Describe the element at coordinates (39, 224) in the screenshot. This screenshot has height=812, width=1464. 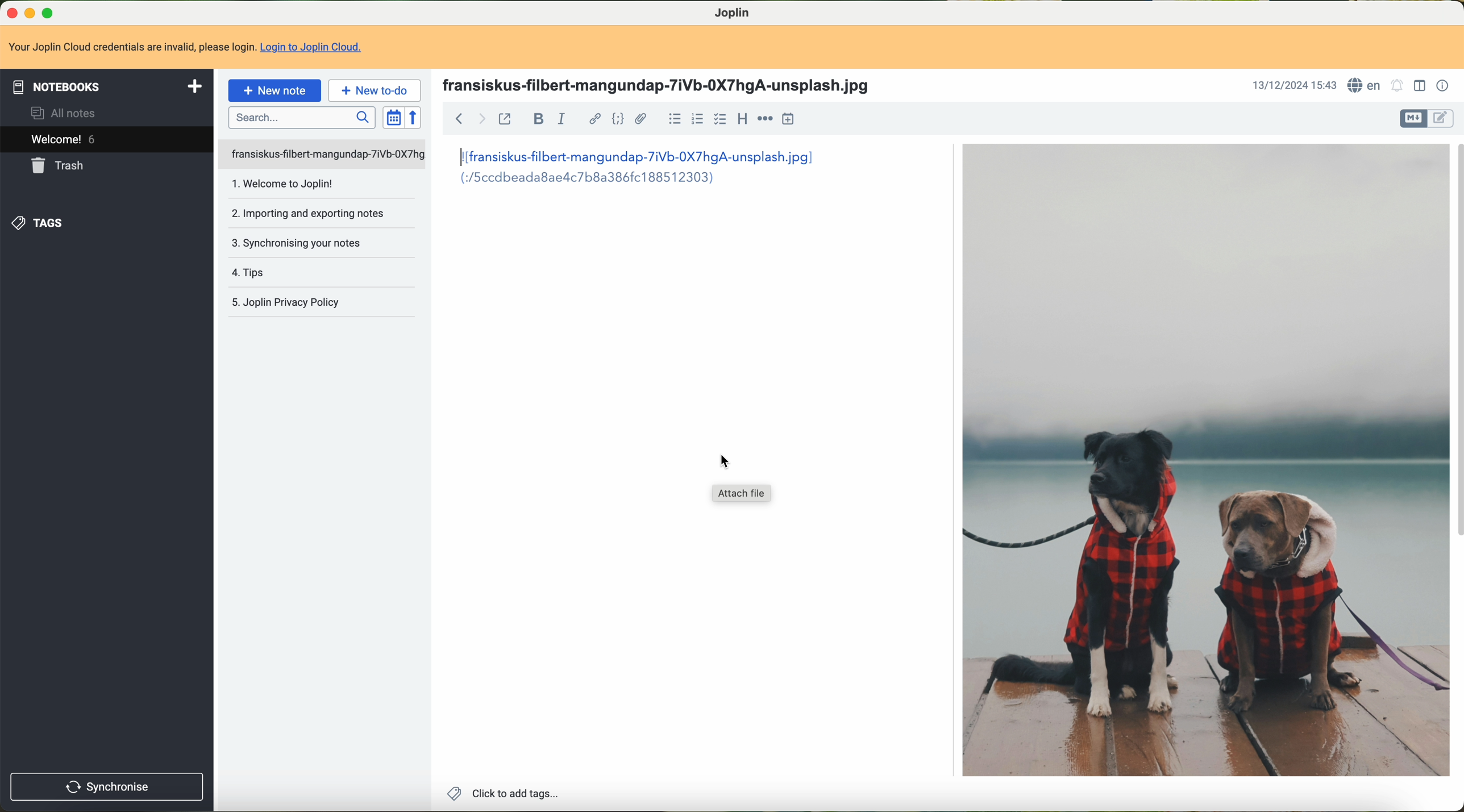
I see `tags` at that location.